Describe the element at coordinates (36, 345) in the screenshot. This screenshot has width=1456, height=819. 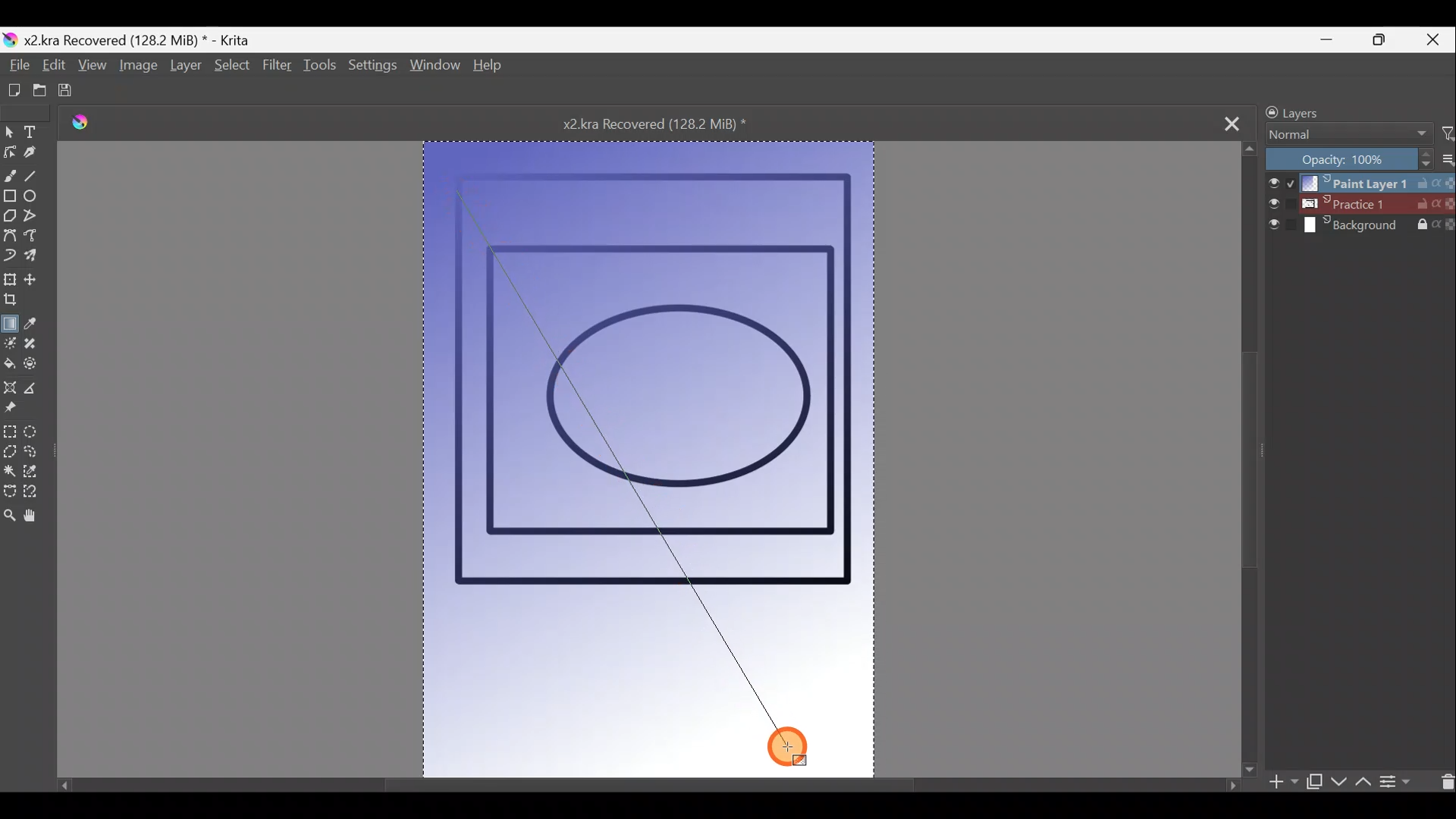
I see `Smart patch tool` at that location.